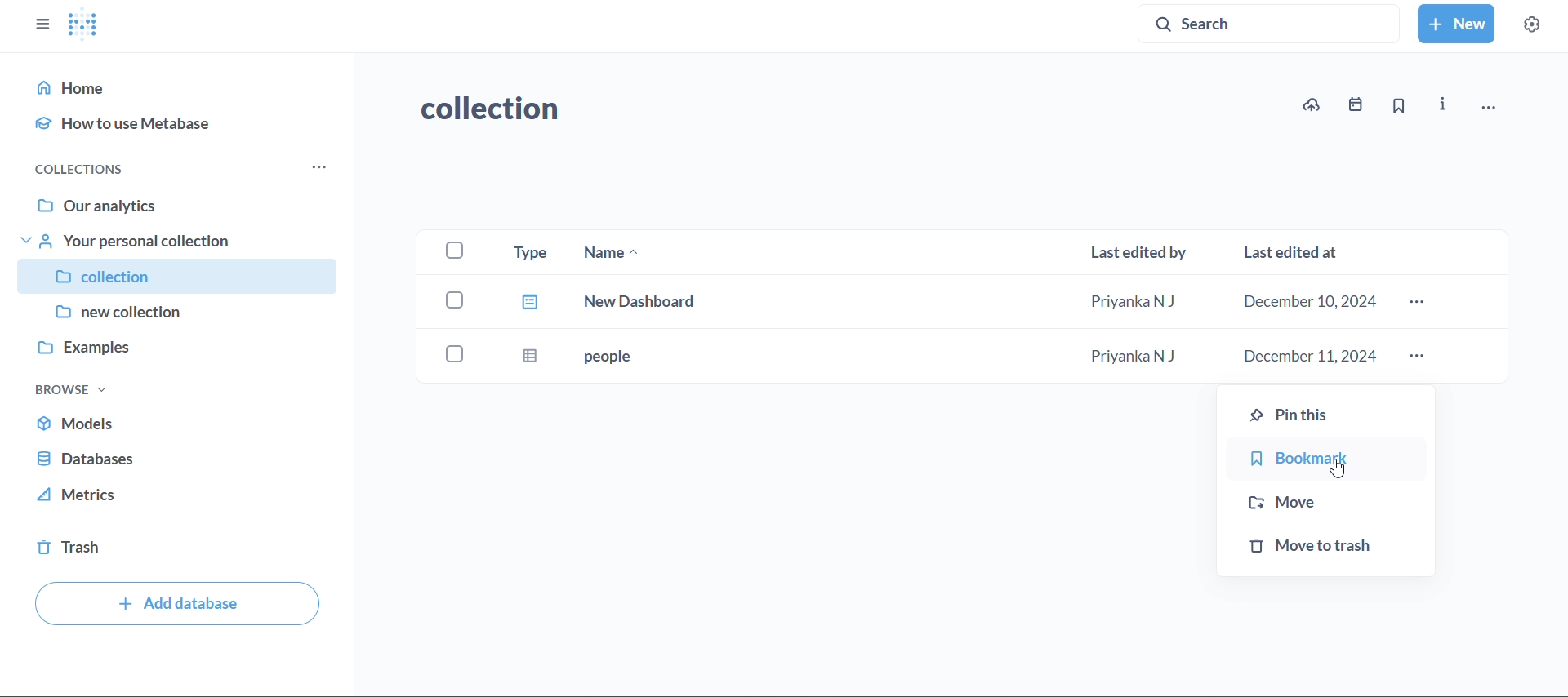 The height and width of the screenshot is (697, 1568). Describe the element at coordinates (175, 606) in the screenshot. I see `add databse` at that location.